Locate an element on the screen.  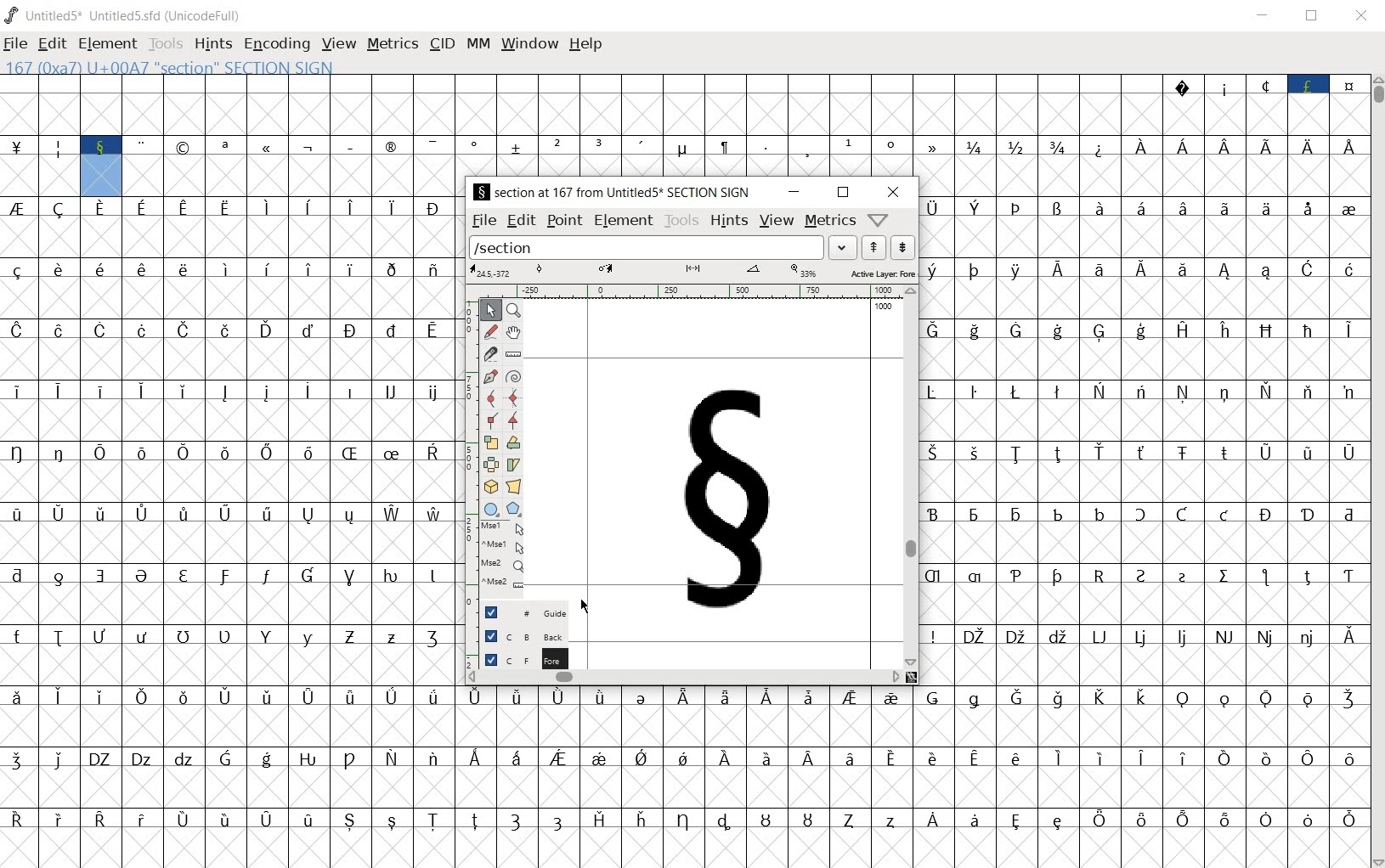
add a point, then drag out its control points is located at coordinates (489, 375).